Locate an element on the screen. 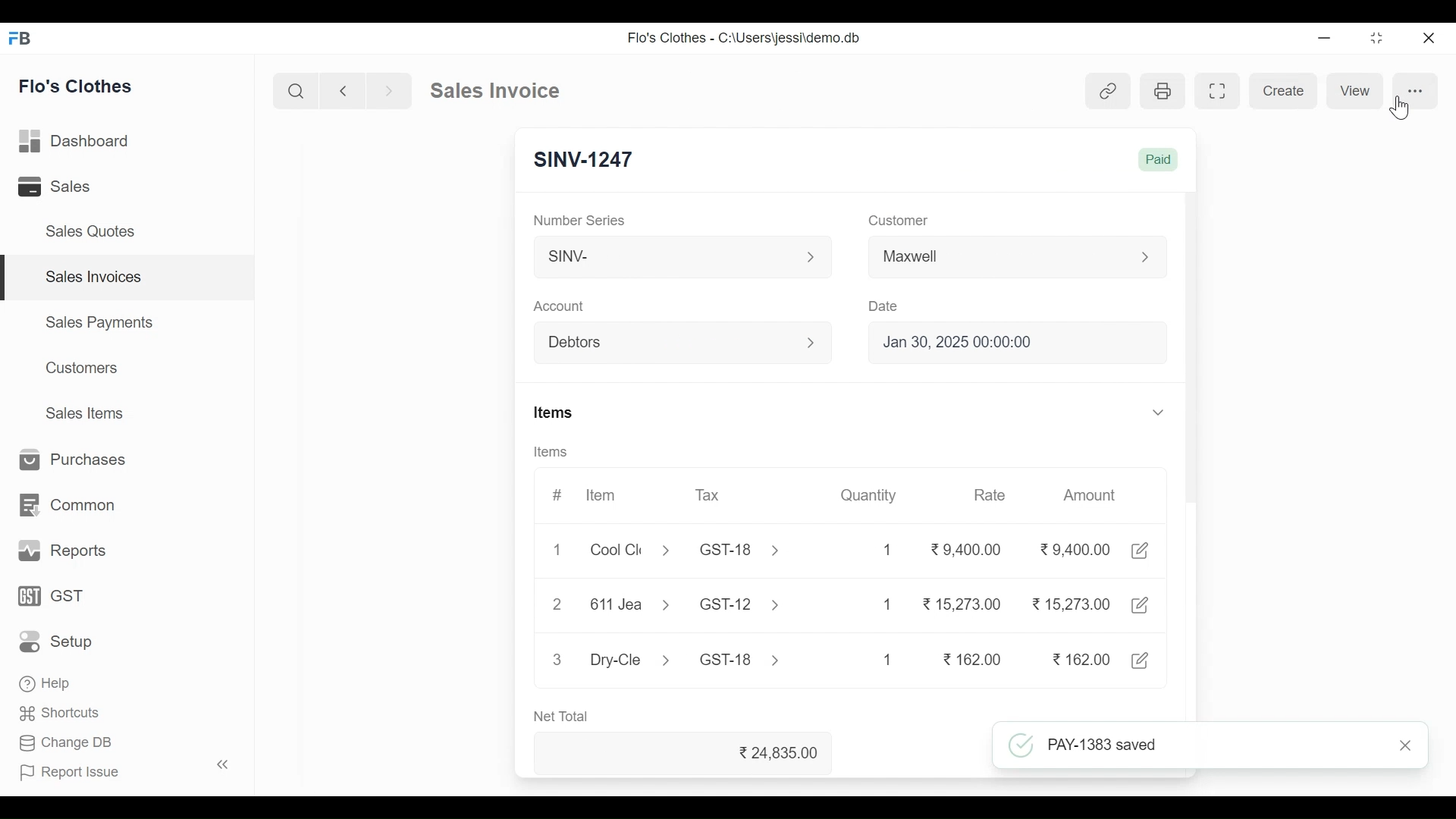 This screenshot has height=819, width=1456. Go Forward is located at coordinates (385, 91).